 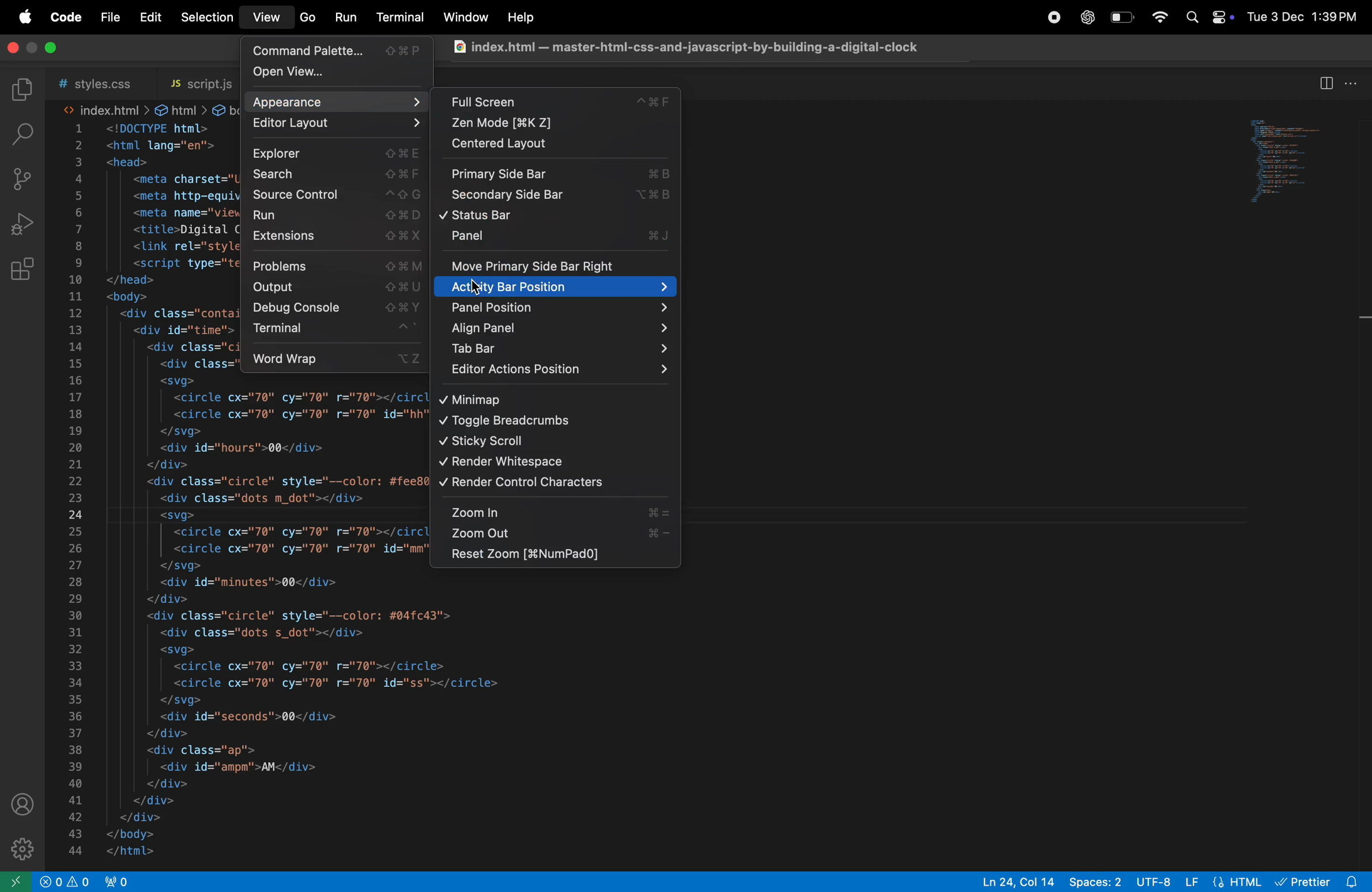 I want to click on terminal, so click(x=398, y=17).